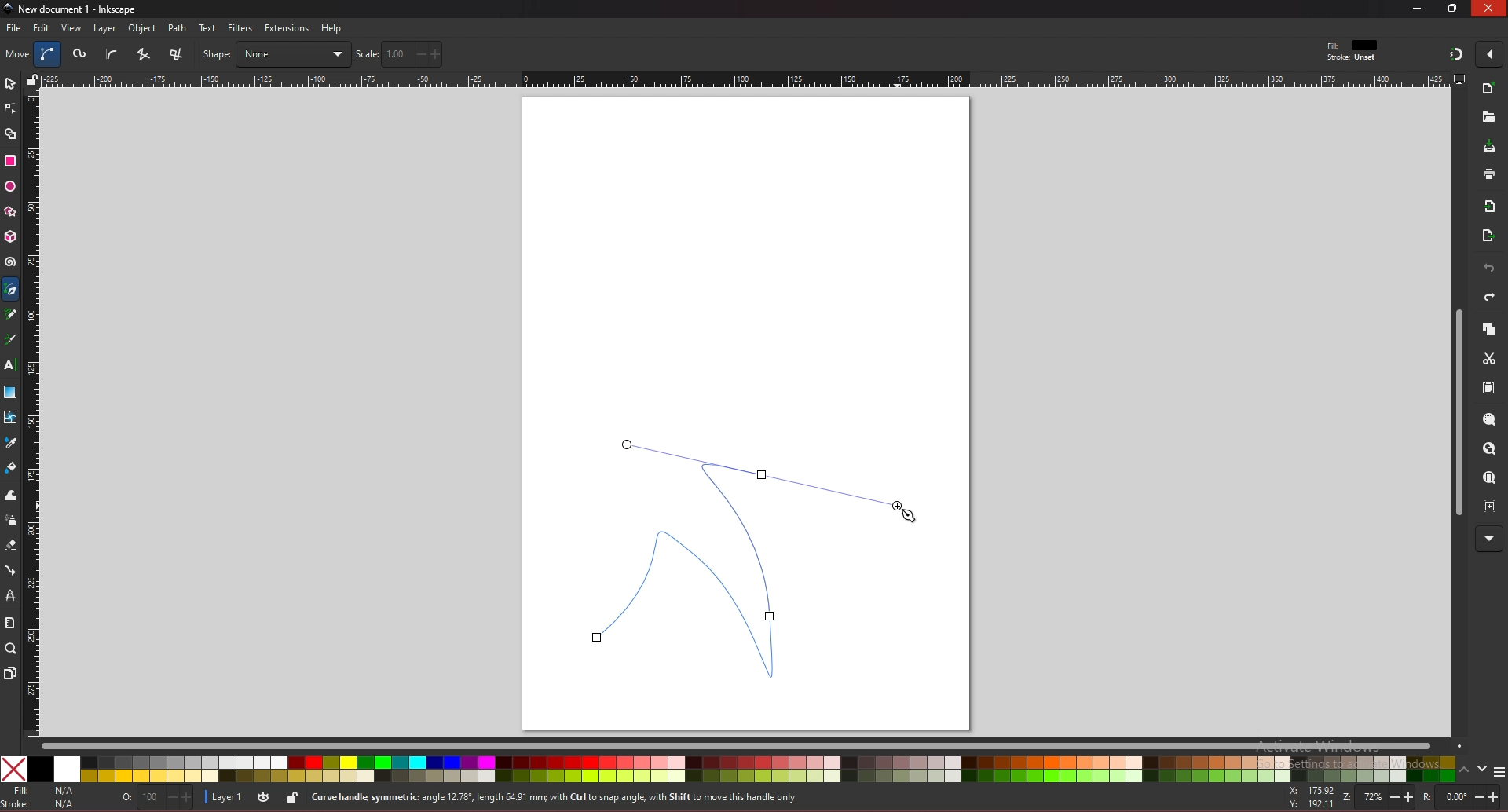 The image size is (1508, 812). I want to click on b spline path, so click(112, 53).